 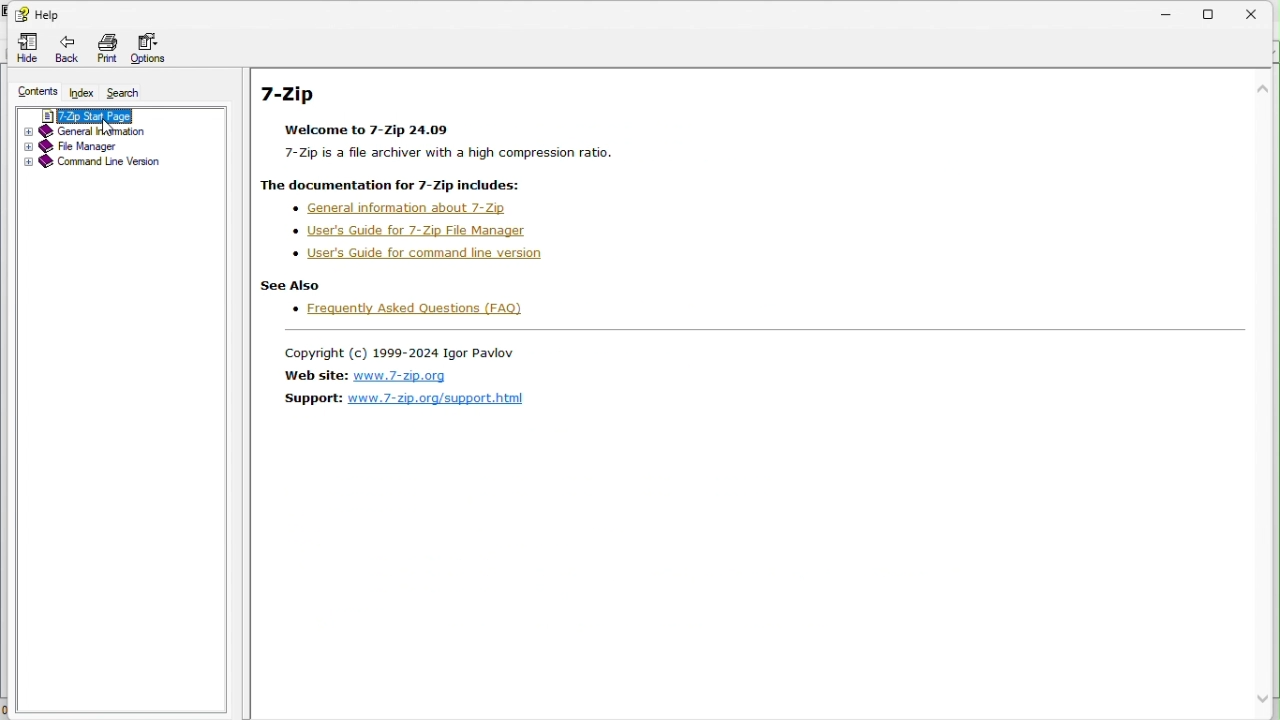 I want to click on Users guide for 7 zip command line version, so click(x=423, y=256).